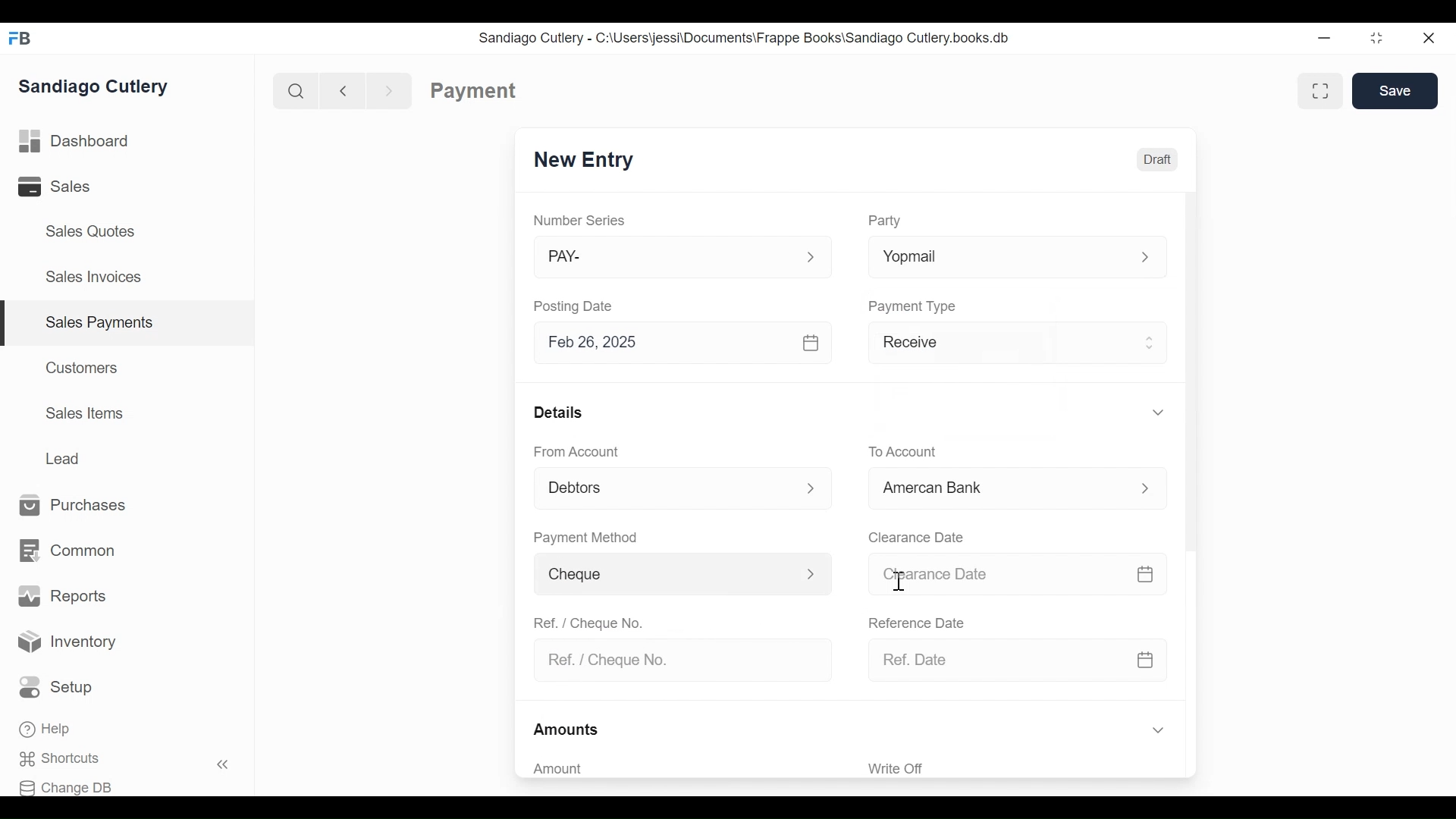 The height and width of the screenshot is (819, 1456). What do you see at coordinates (996, 661) in the screenshot?
I see `Ref. Date` at bounding box center [996, 661].